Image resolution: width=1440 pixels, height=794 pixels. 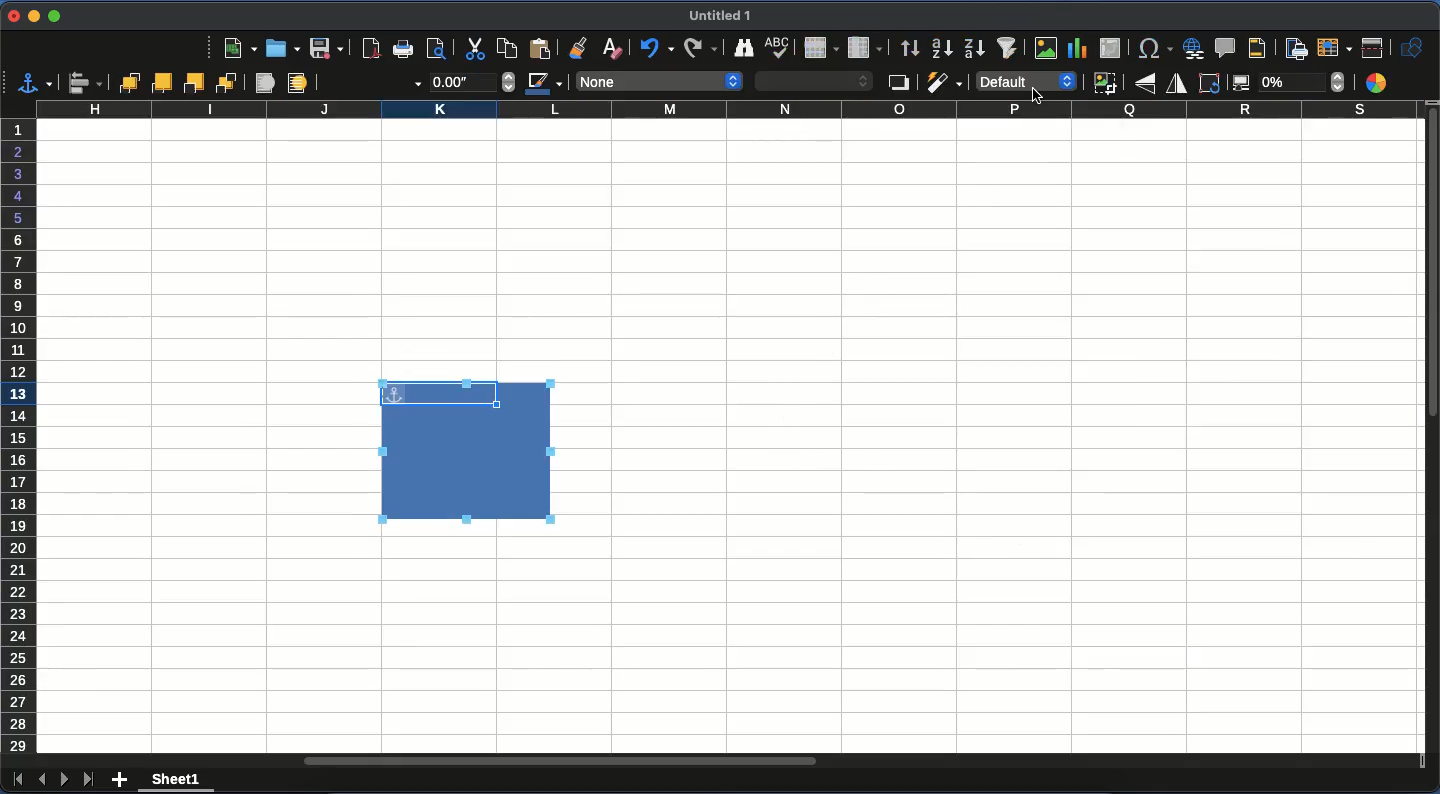 What do you see at coordinates (126, 83) in the screenshot?
I see `bring to front` at bounding box center [126, 83].